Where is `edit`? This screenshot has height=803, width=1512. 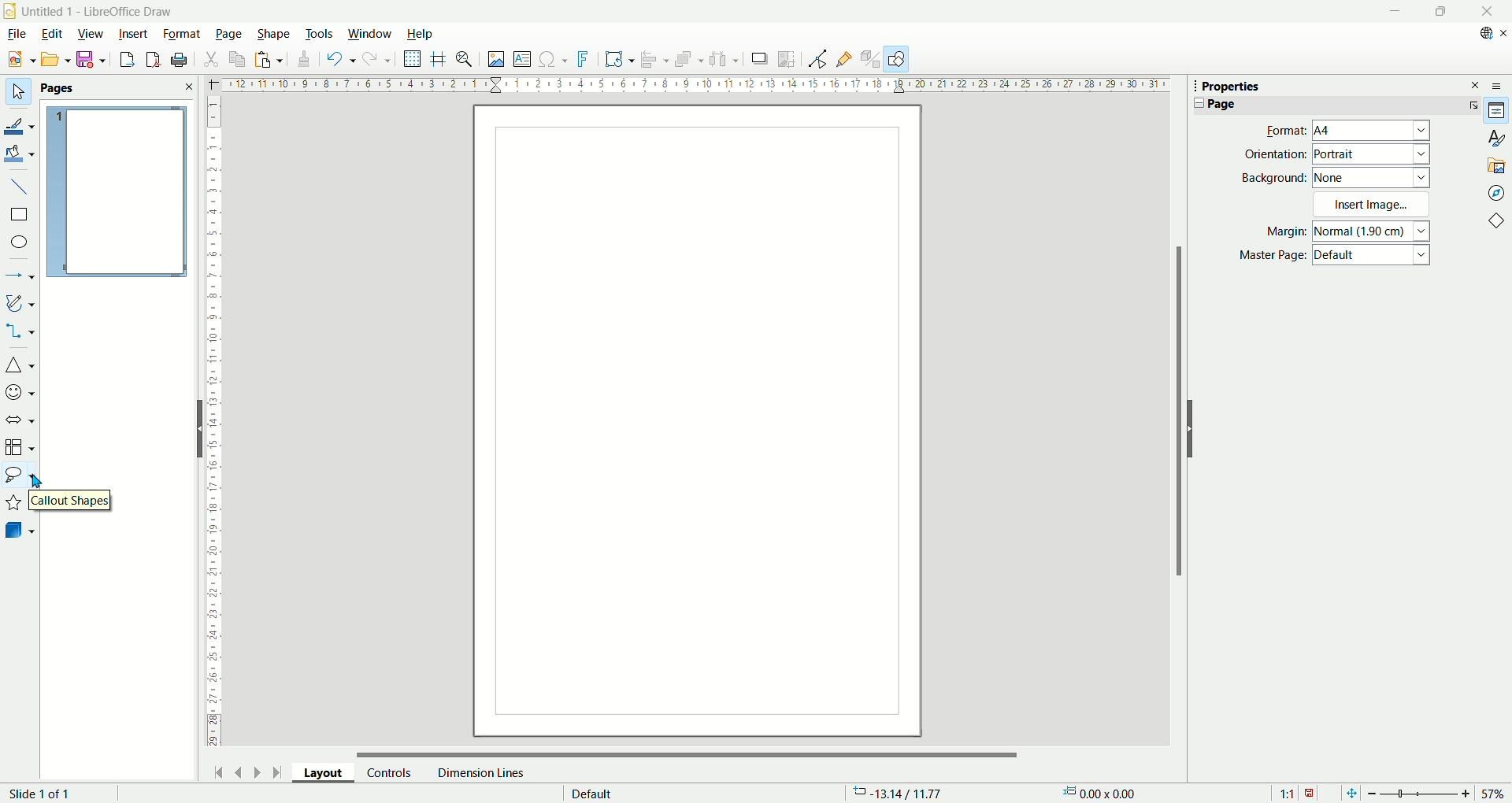
edit is located at coordinates (51, 35).